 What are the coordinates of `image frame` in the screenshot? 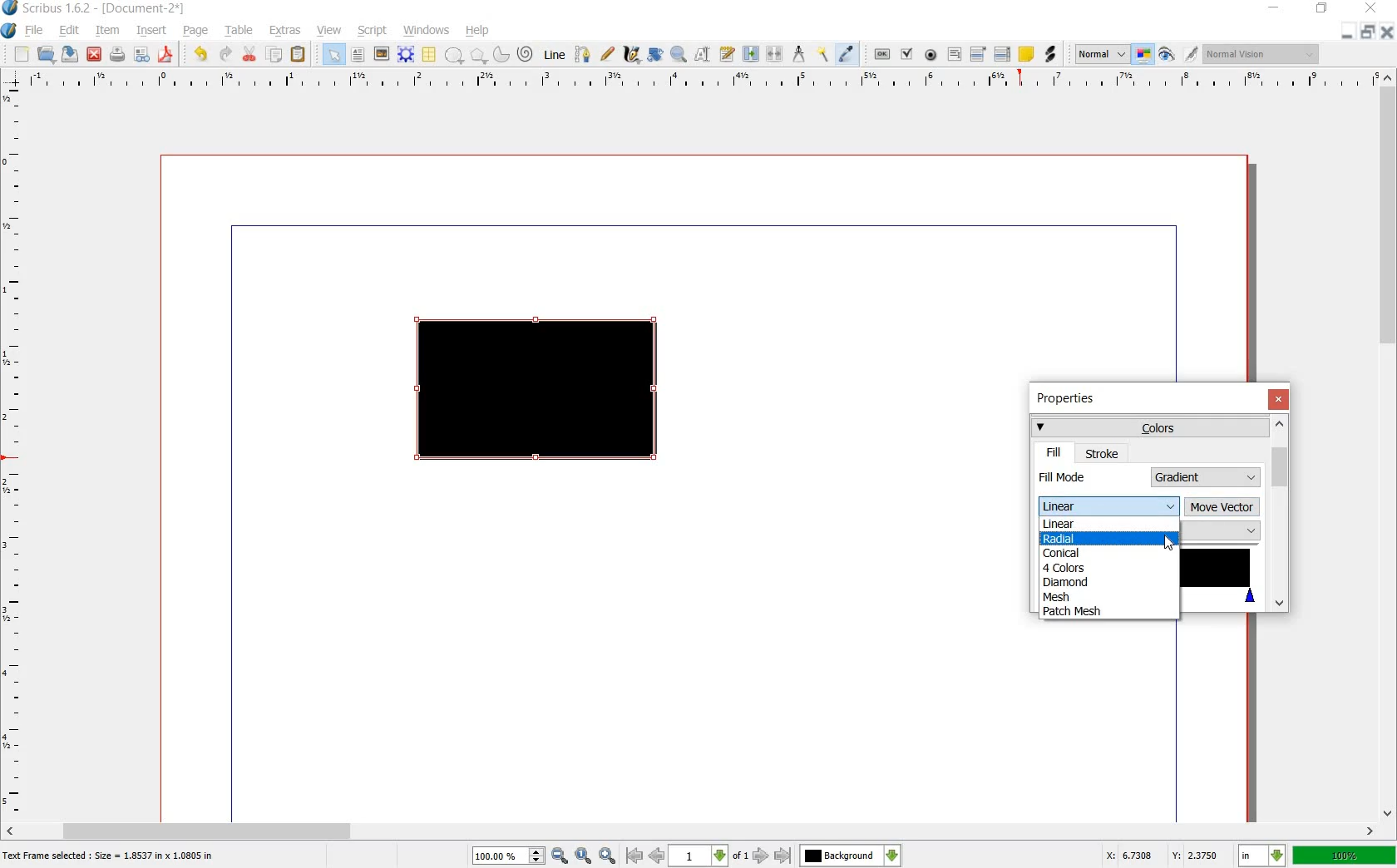 It's located at (380, 54).